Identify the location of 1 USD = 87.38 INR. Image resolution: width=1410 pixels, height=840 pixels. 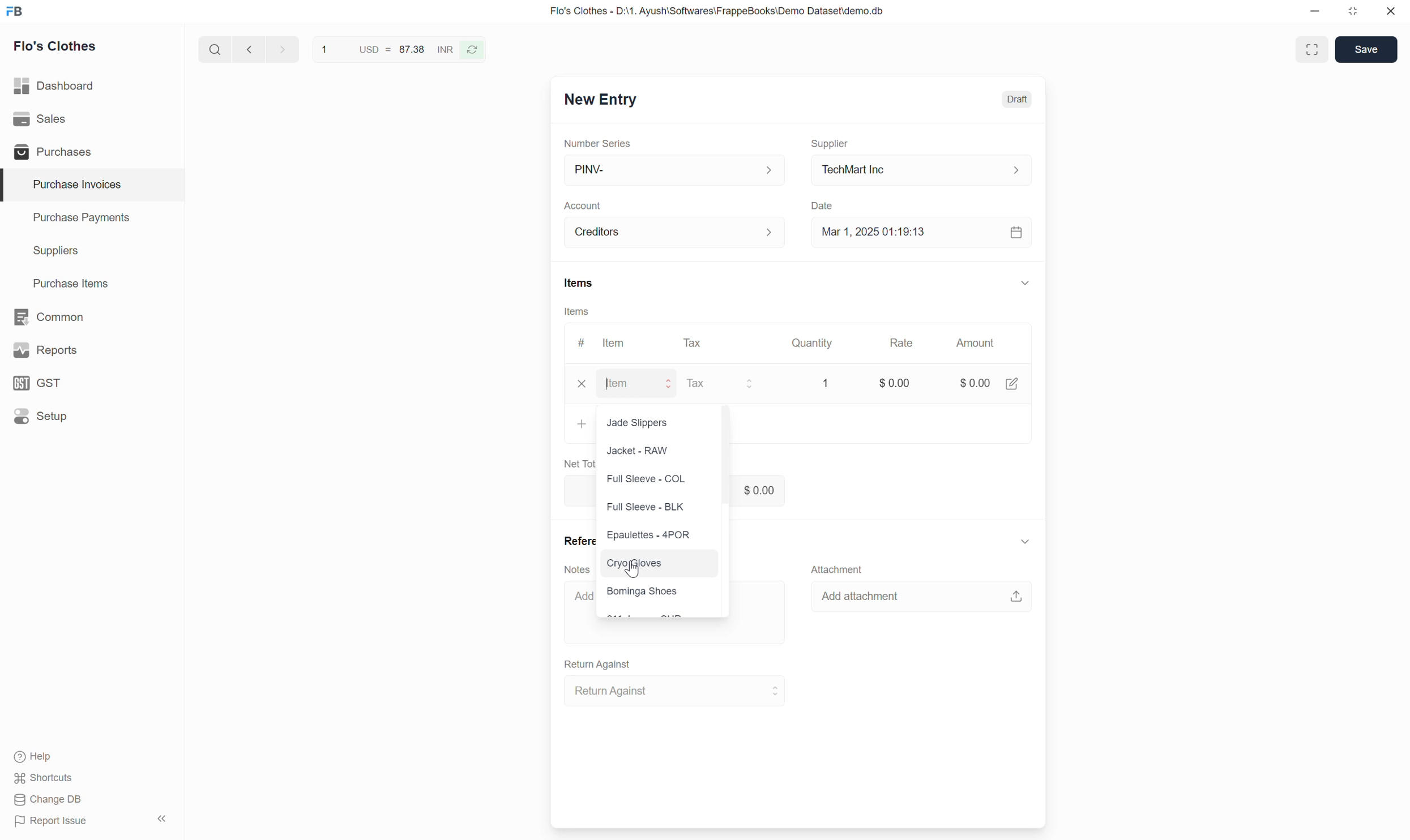
(386, 48).